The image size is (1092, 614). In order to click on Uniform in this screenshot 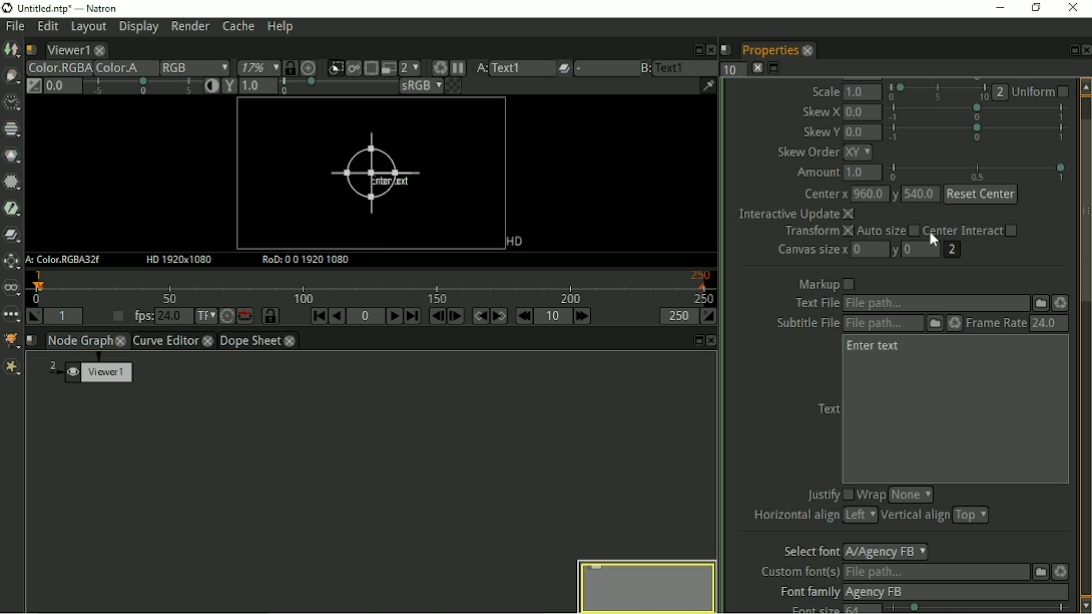, I will do `click(1043, 91)`.